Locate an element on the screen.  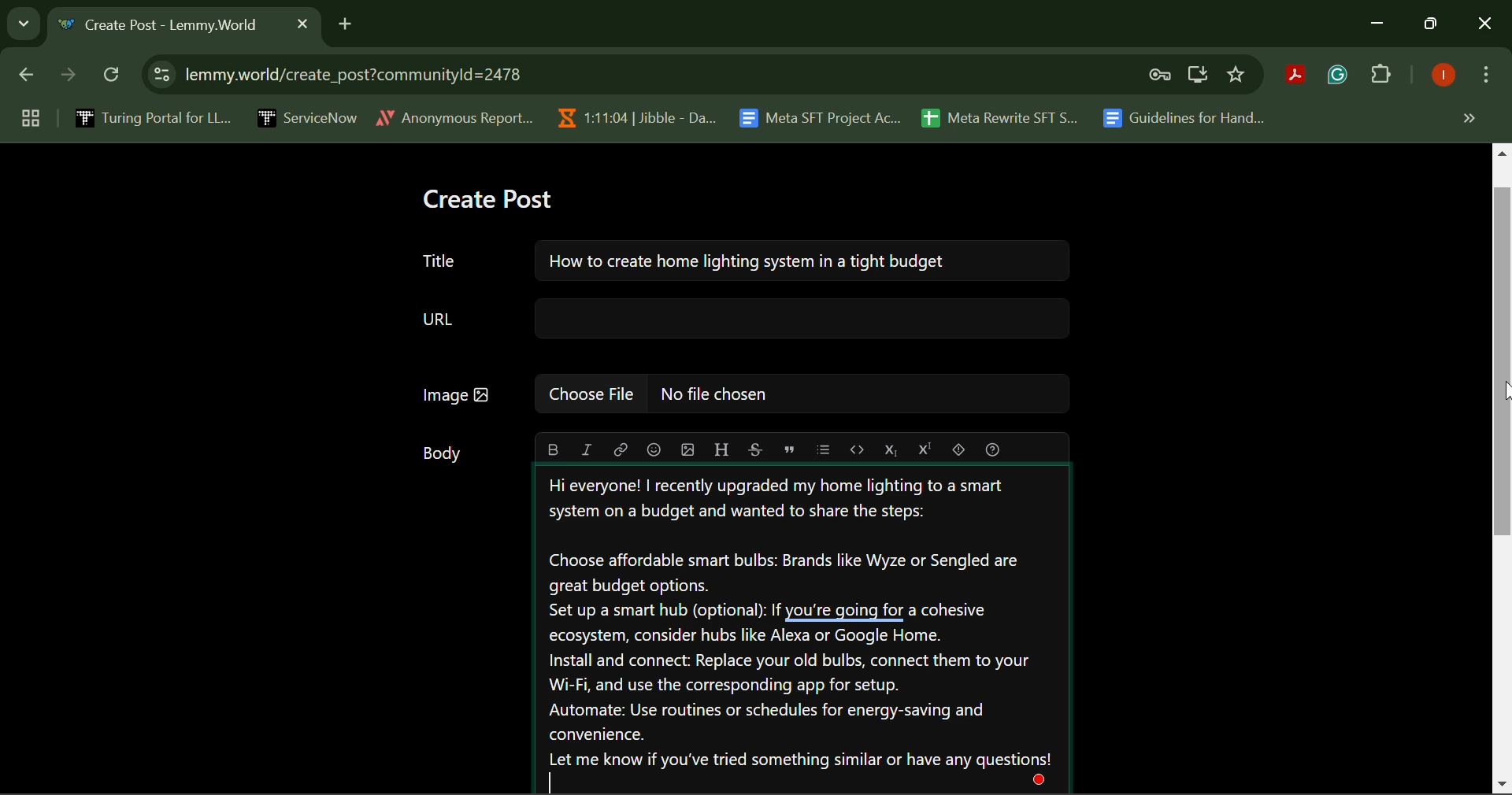
Refresh Page  is located at coordinates (113, 76).